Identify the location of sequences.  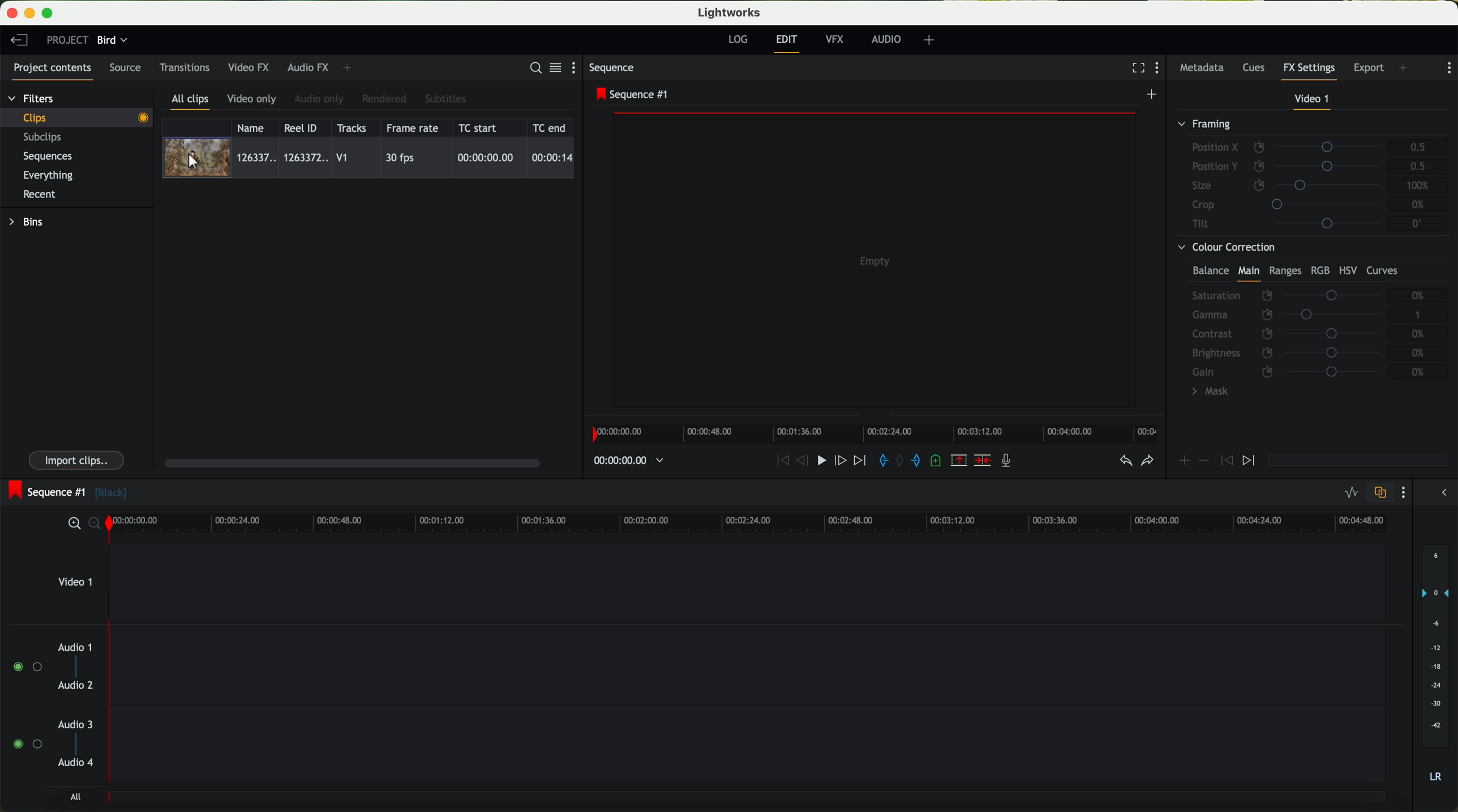
(48, 157).